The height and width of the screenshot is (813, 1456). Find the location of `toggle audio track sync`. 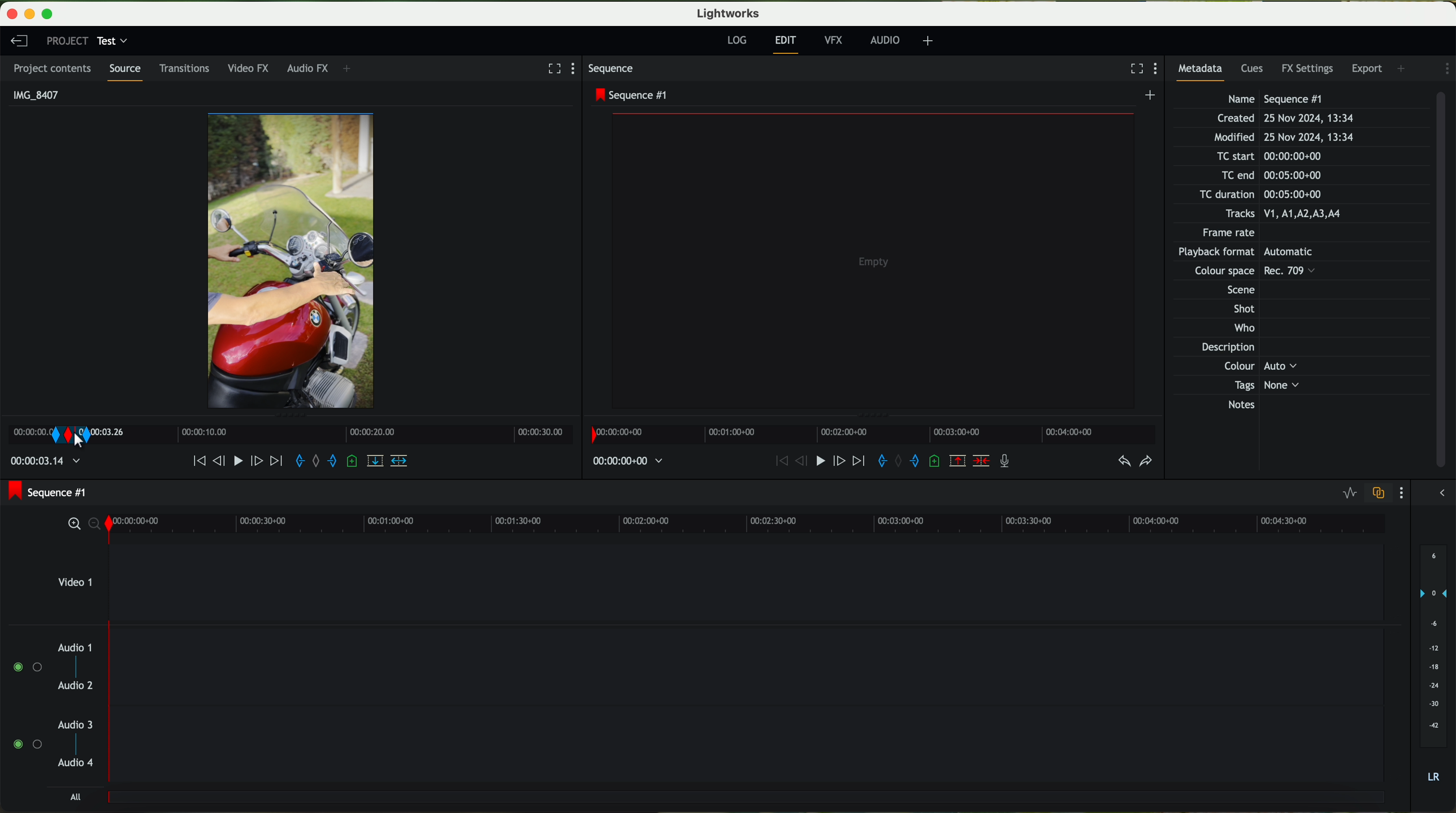

toggle audio track sync is located at coordinates (1380, 493).